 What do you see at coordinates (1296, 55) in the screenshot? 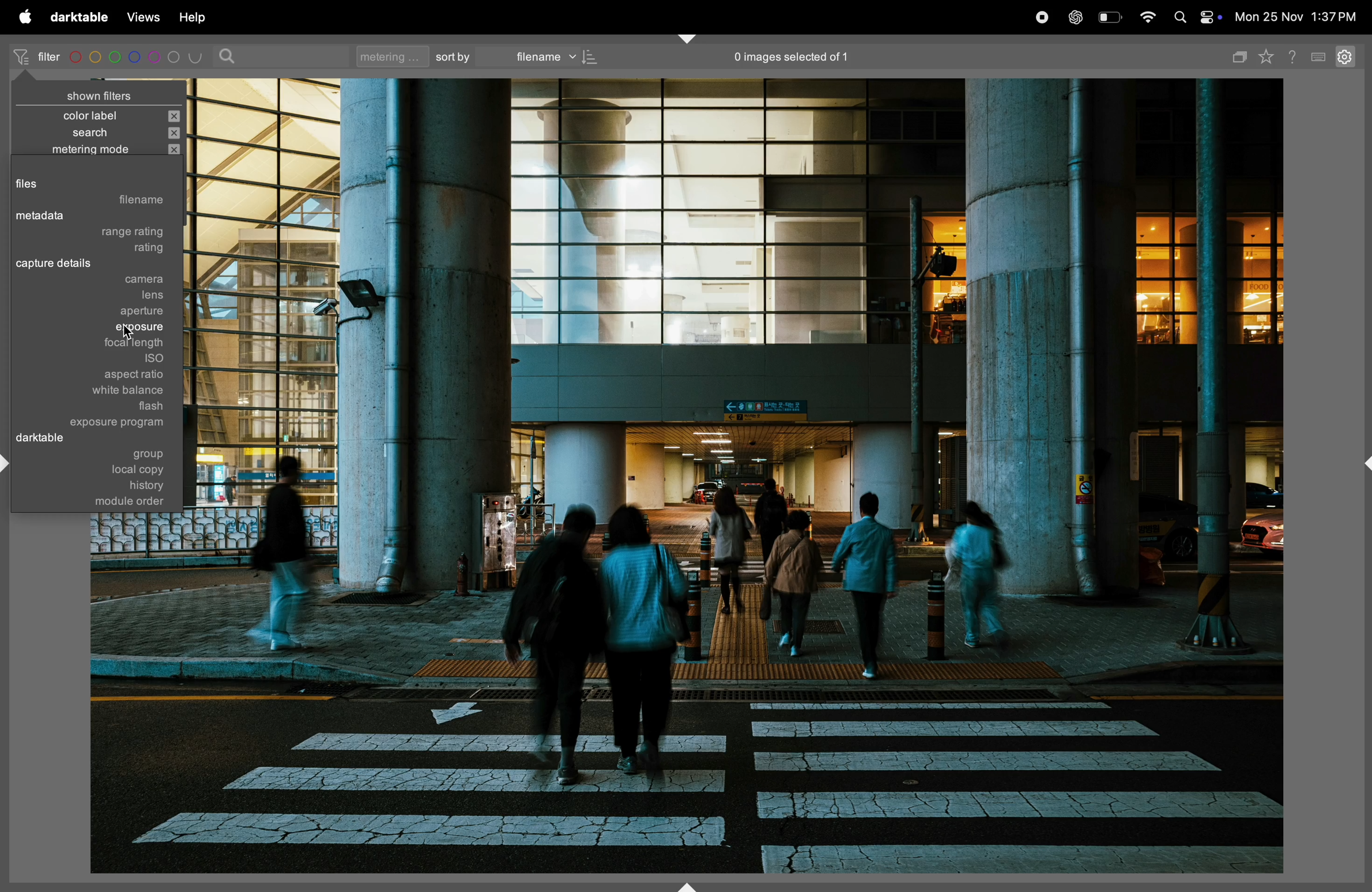
I see `help` at bounding box center [1296, 55].